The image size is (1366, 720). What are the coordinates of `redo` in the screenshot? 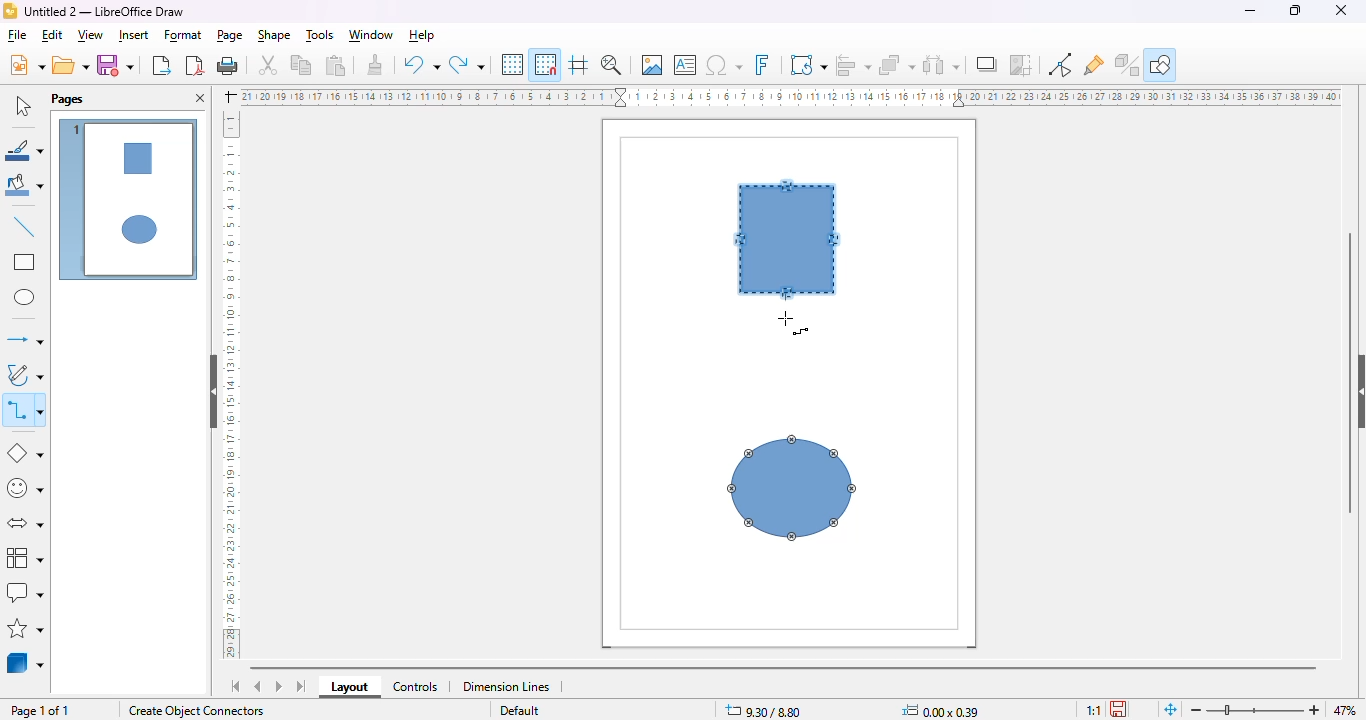 It's located at (466, 66).